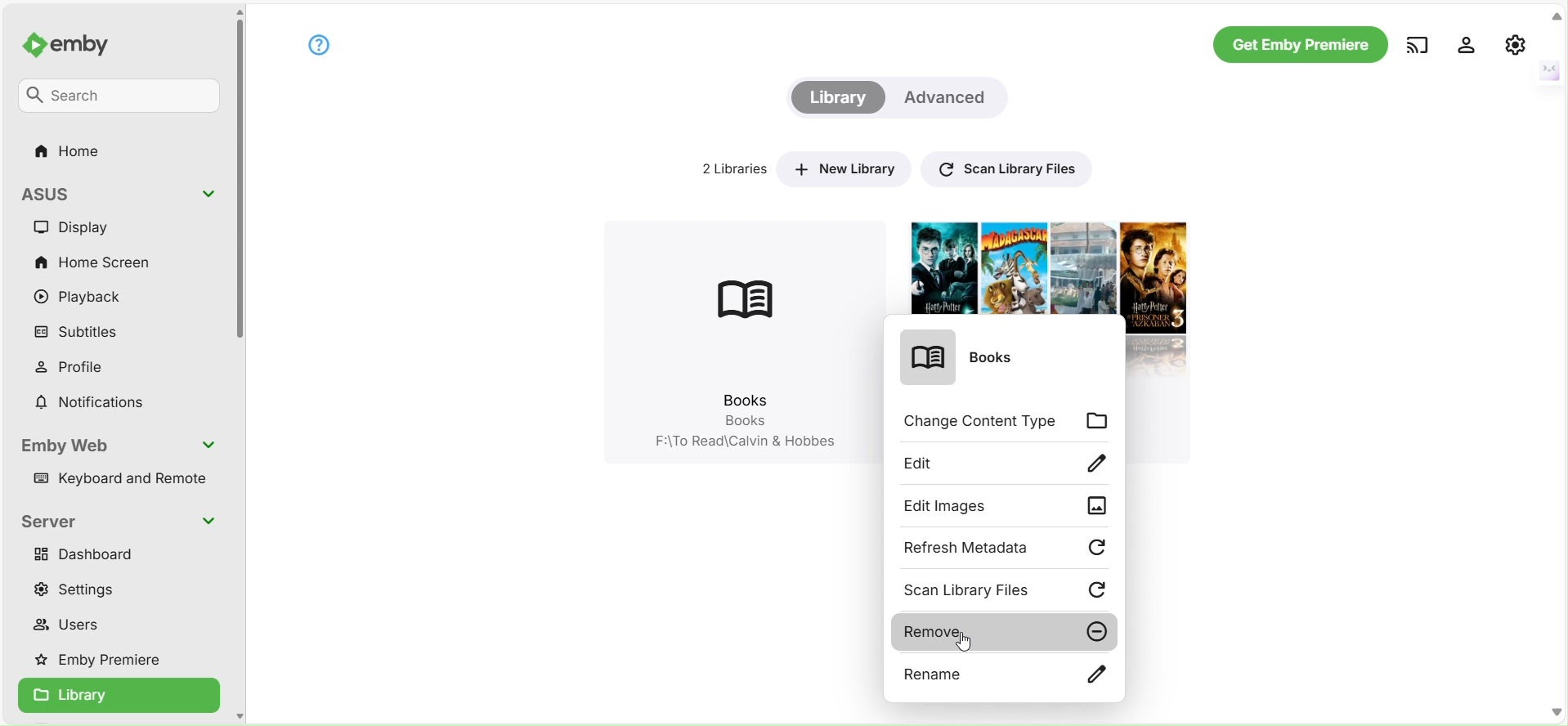 The height and width of the screenshot is (726, 1568). I want to click on Home, so click(71, 152).